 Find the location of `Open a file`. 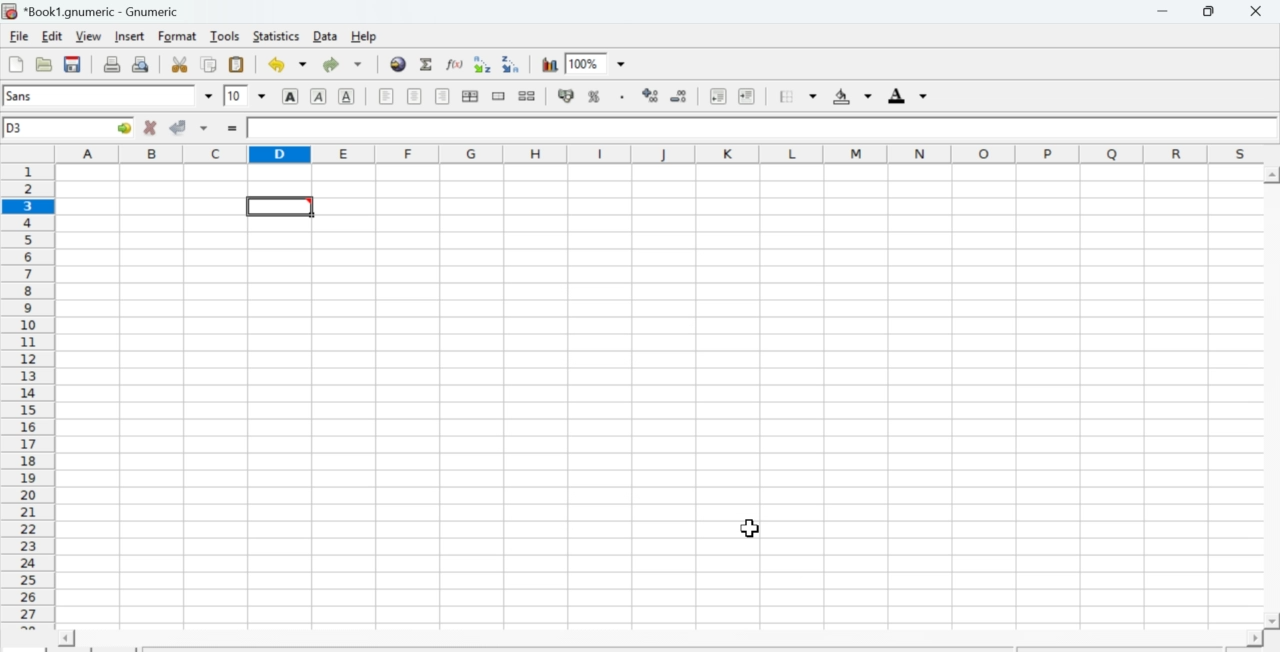

Open a file is located at coordinates (42, 65).